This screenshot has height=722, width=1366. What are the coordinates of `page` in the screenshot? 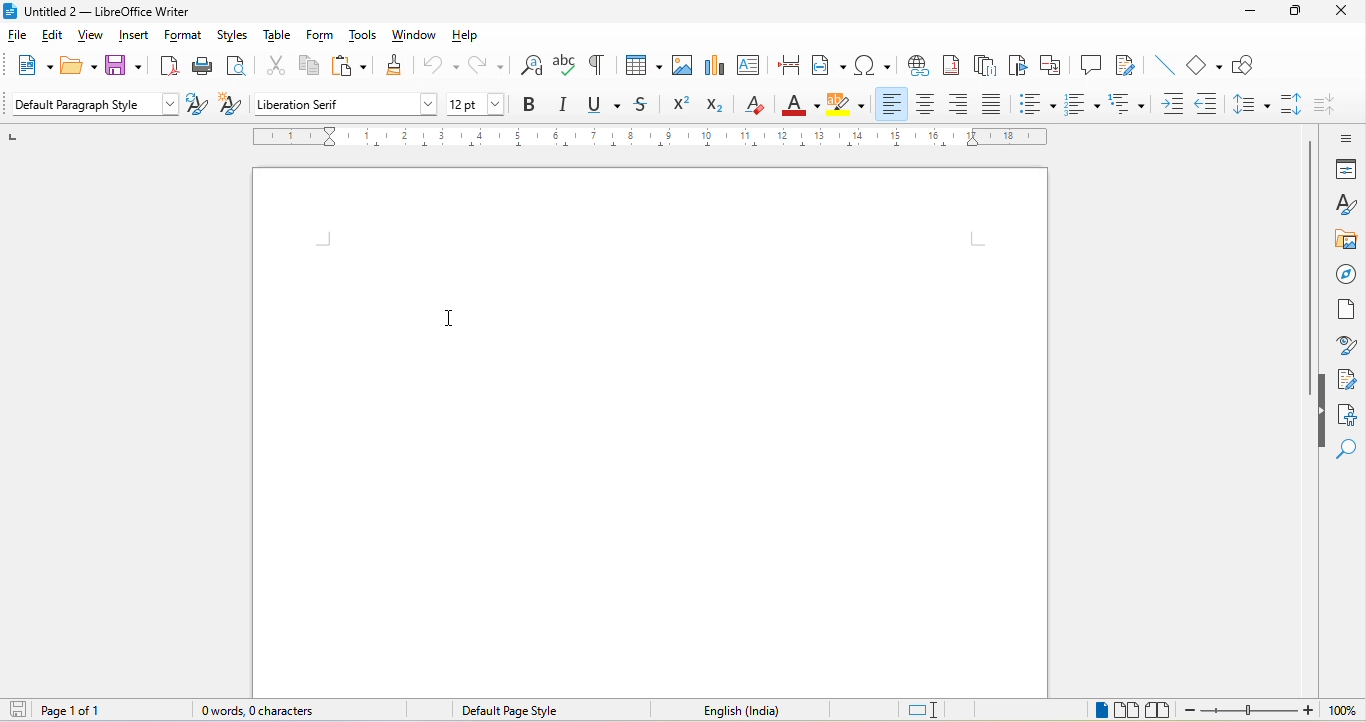 It's located at (1347, 316).